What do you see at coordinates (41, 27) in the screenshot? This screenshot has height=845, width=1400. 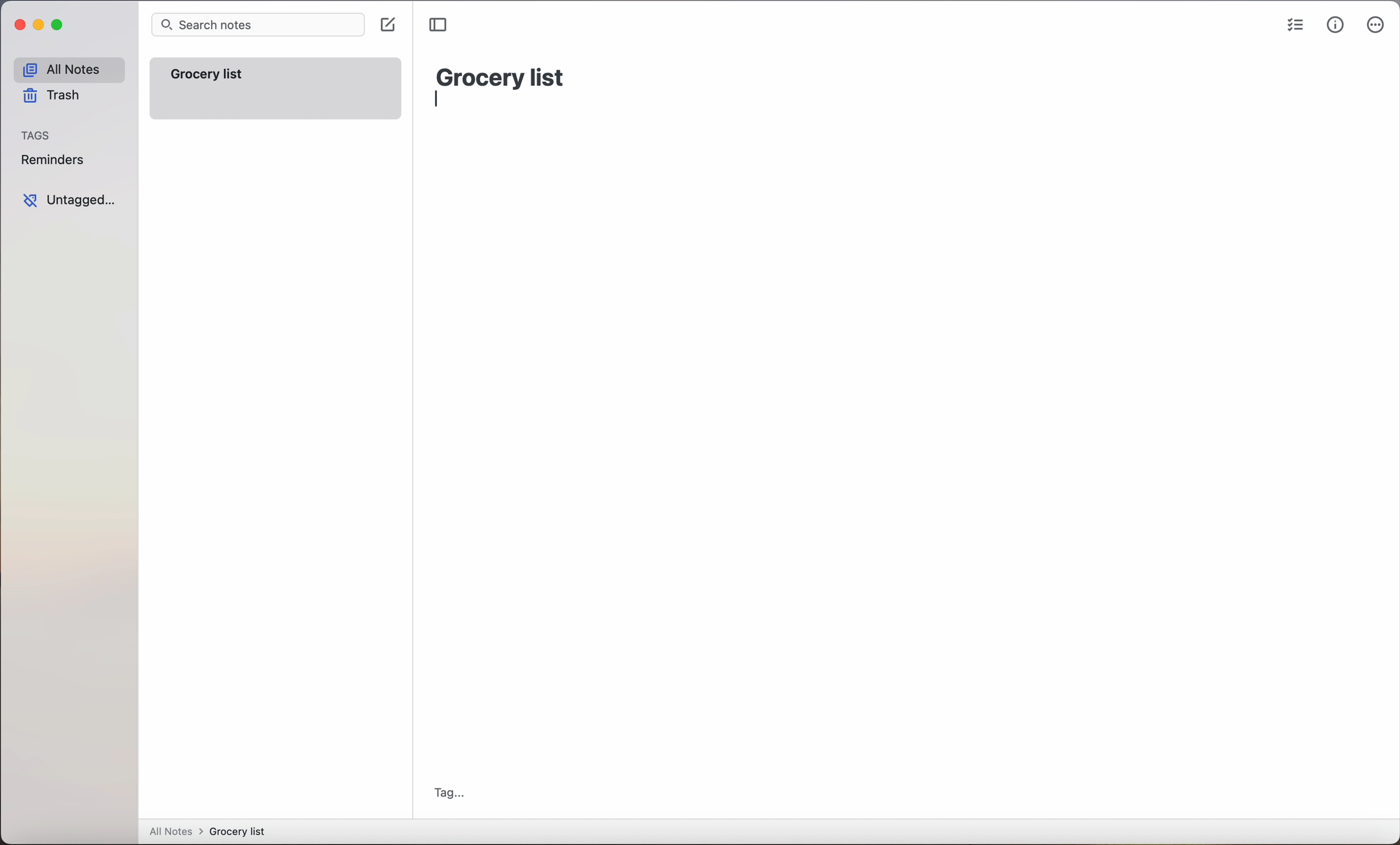 I see `minimize Simplenote` at bounding box center [41, 27].